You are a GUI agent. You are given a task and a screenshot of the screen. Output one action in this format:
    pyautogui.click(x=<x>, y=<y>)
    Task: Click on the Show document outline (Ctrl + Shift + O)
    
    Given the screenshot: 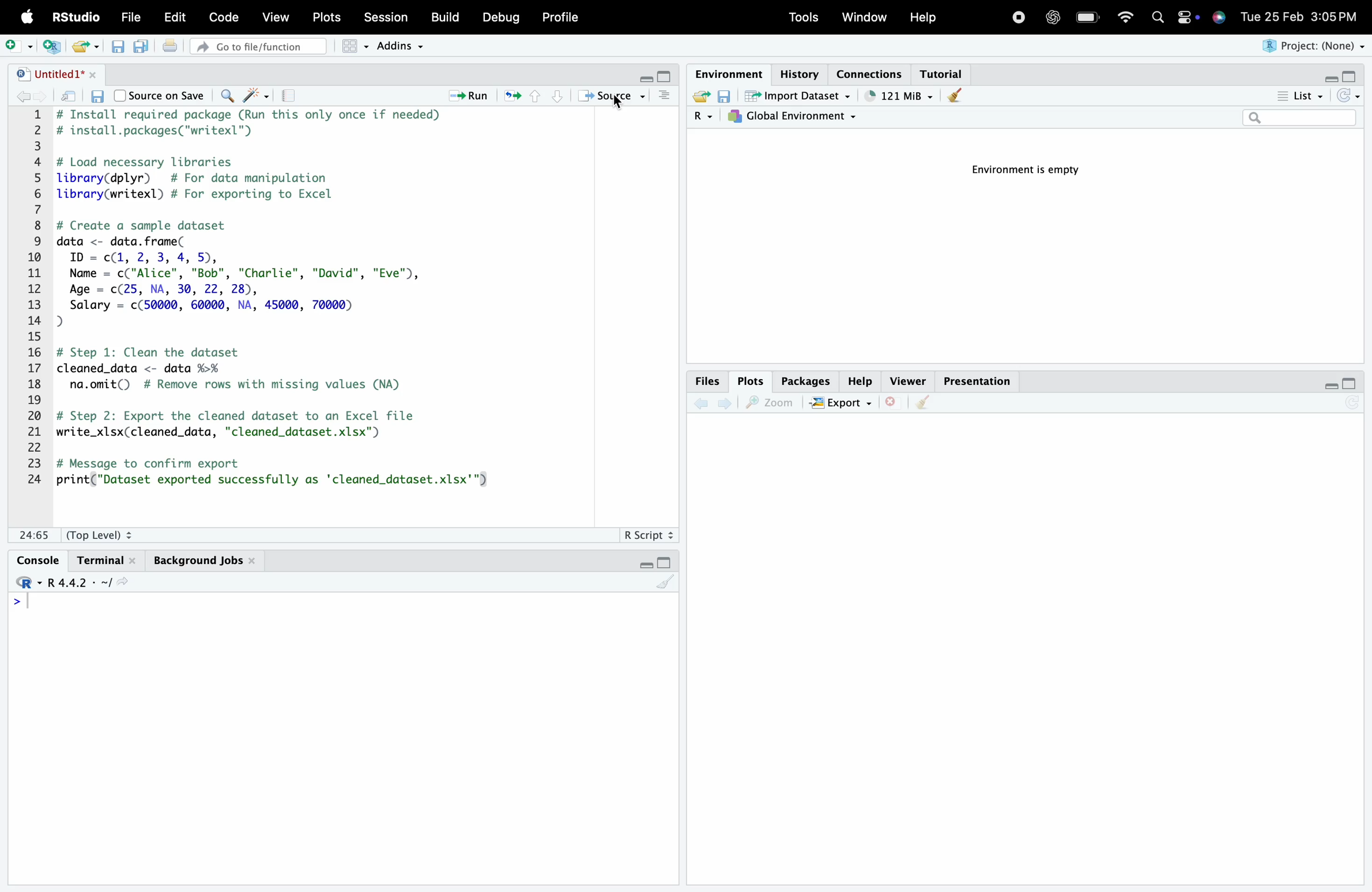 What is the action you would take?
    pyautogui.click(x=665, y=96)
    